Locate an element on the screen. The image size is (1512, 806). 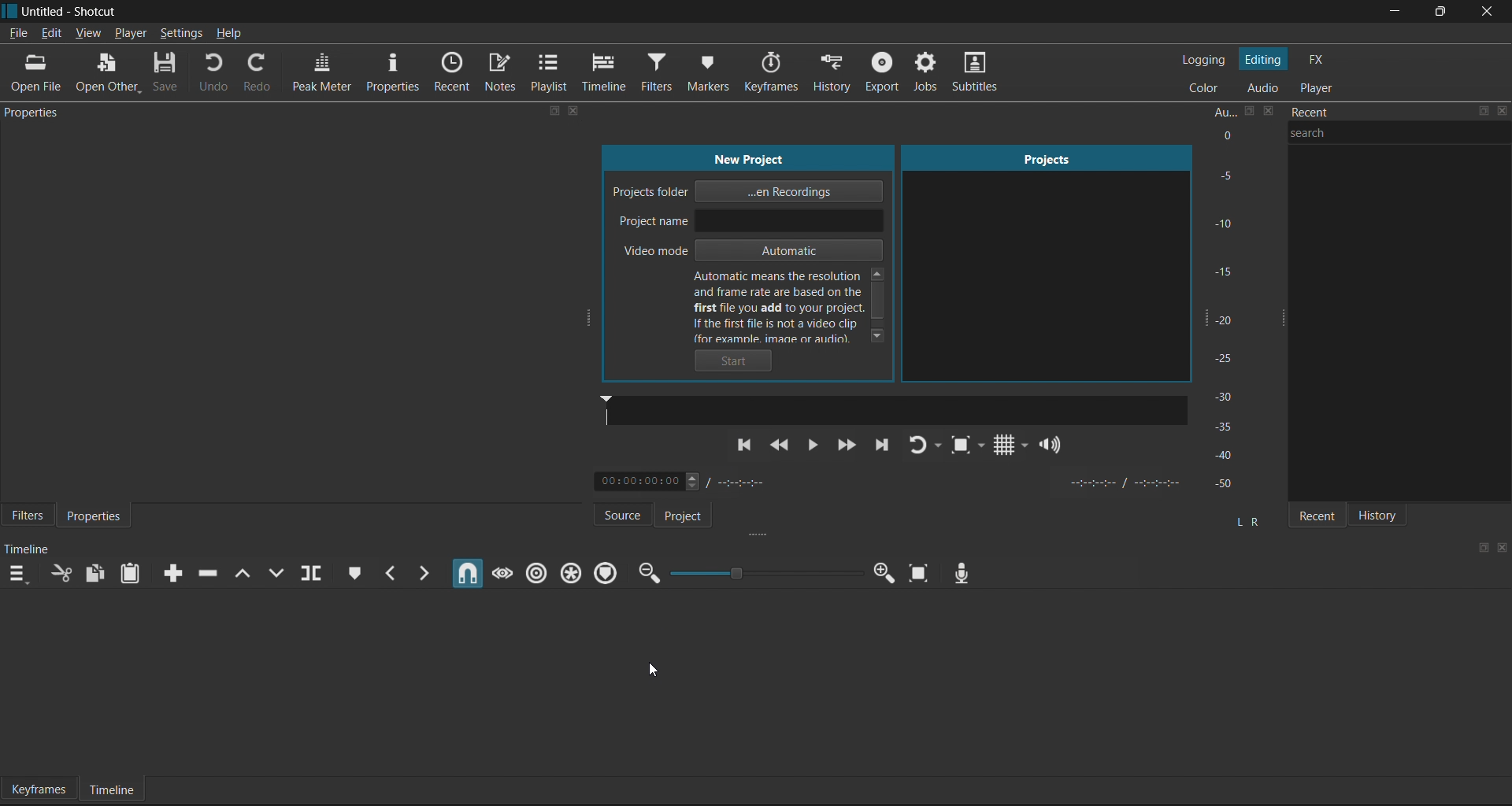
Filters is located at coordinates (661, 72).